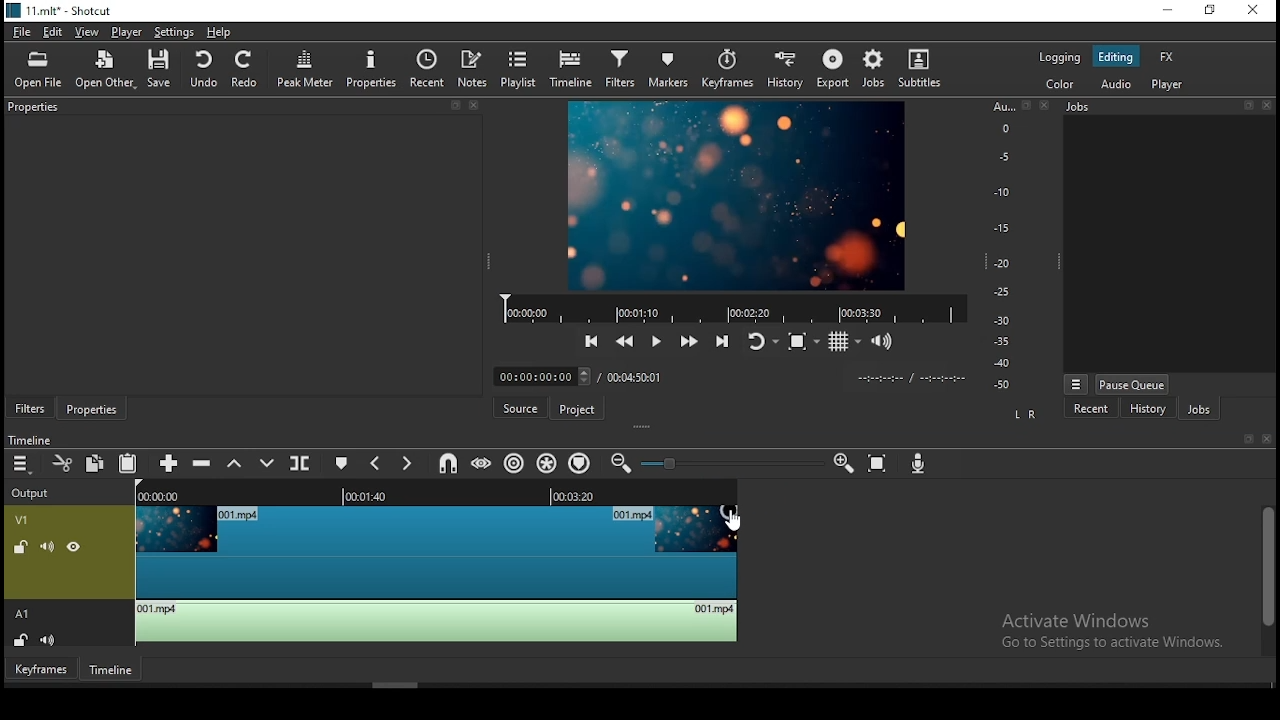 This screenshot has width=1280, height=720. What do you see at coordinates (128, 465) in the screenshot?
I see `paste` at bounding box center [128, 465].